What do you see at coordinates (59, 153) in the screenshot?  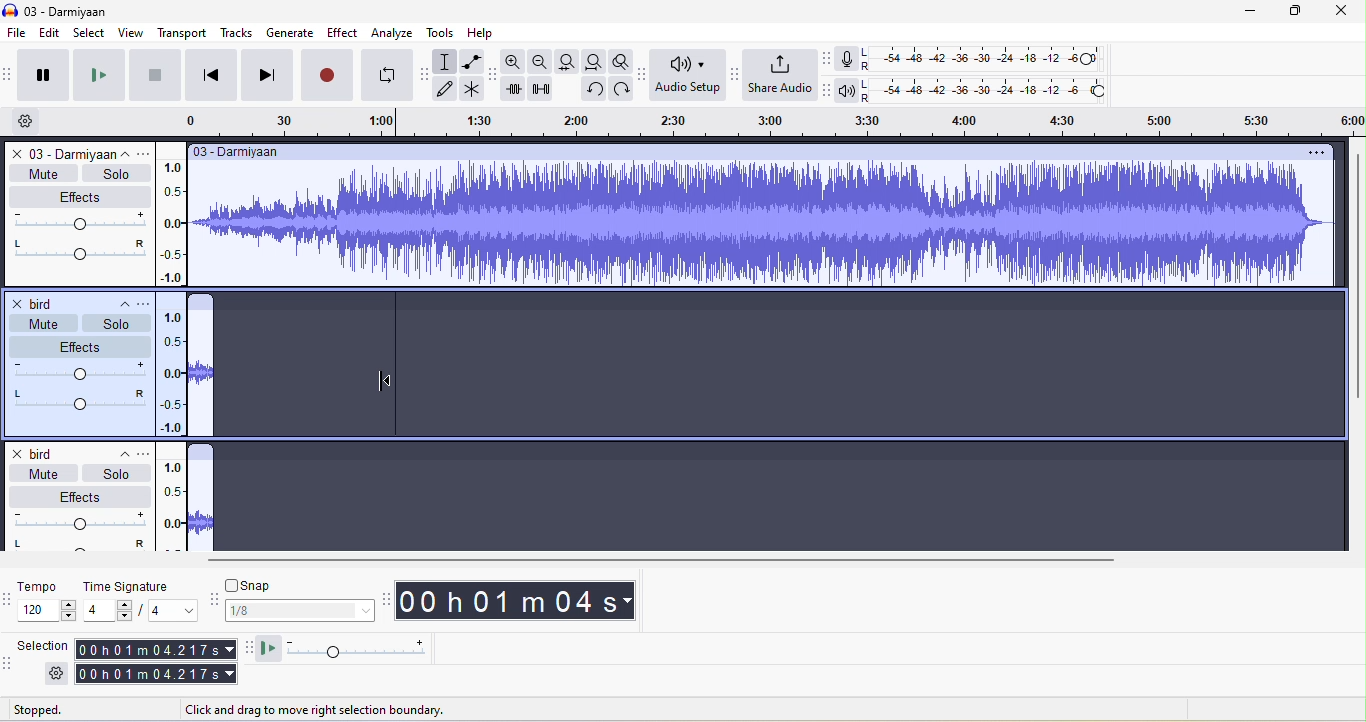 I see `o3 darmiyaan` at bounding box center [59, 153].